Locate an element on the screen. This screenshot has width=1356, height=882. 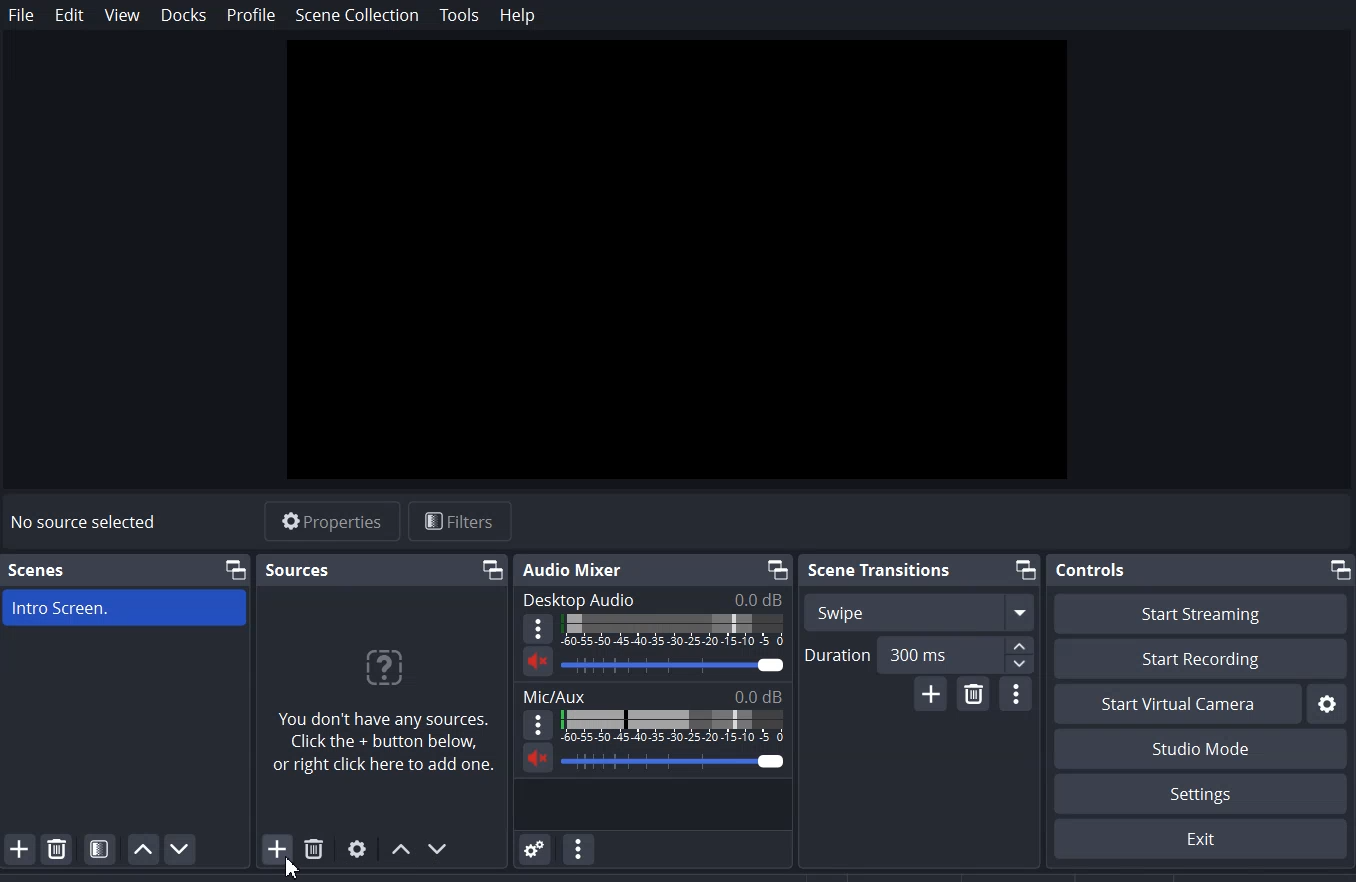
Add Scene is located at coordinates (19, 848).